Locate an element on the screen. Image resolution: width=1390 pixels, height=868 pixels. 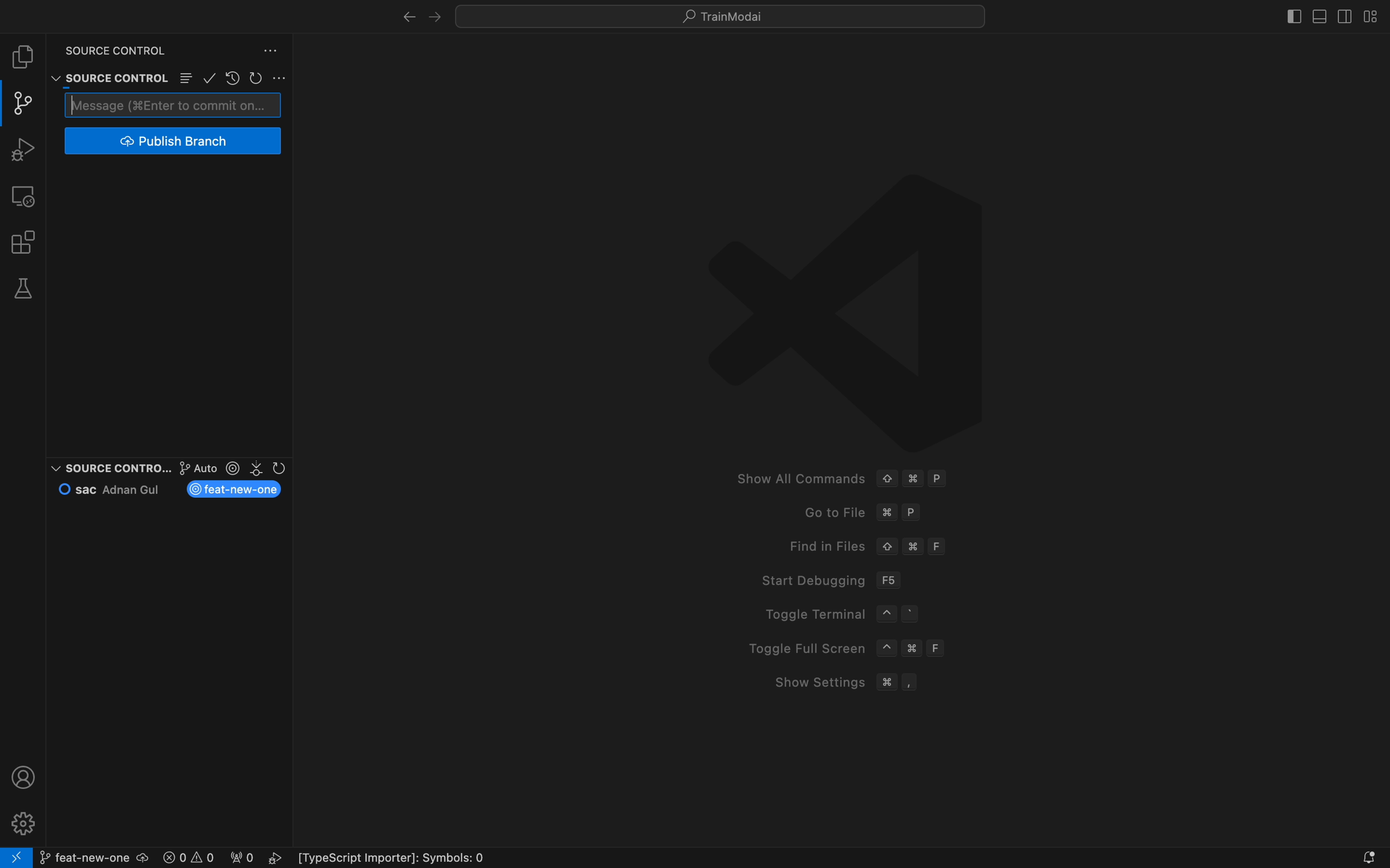
source is located at coordinates (106, 77).